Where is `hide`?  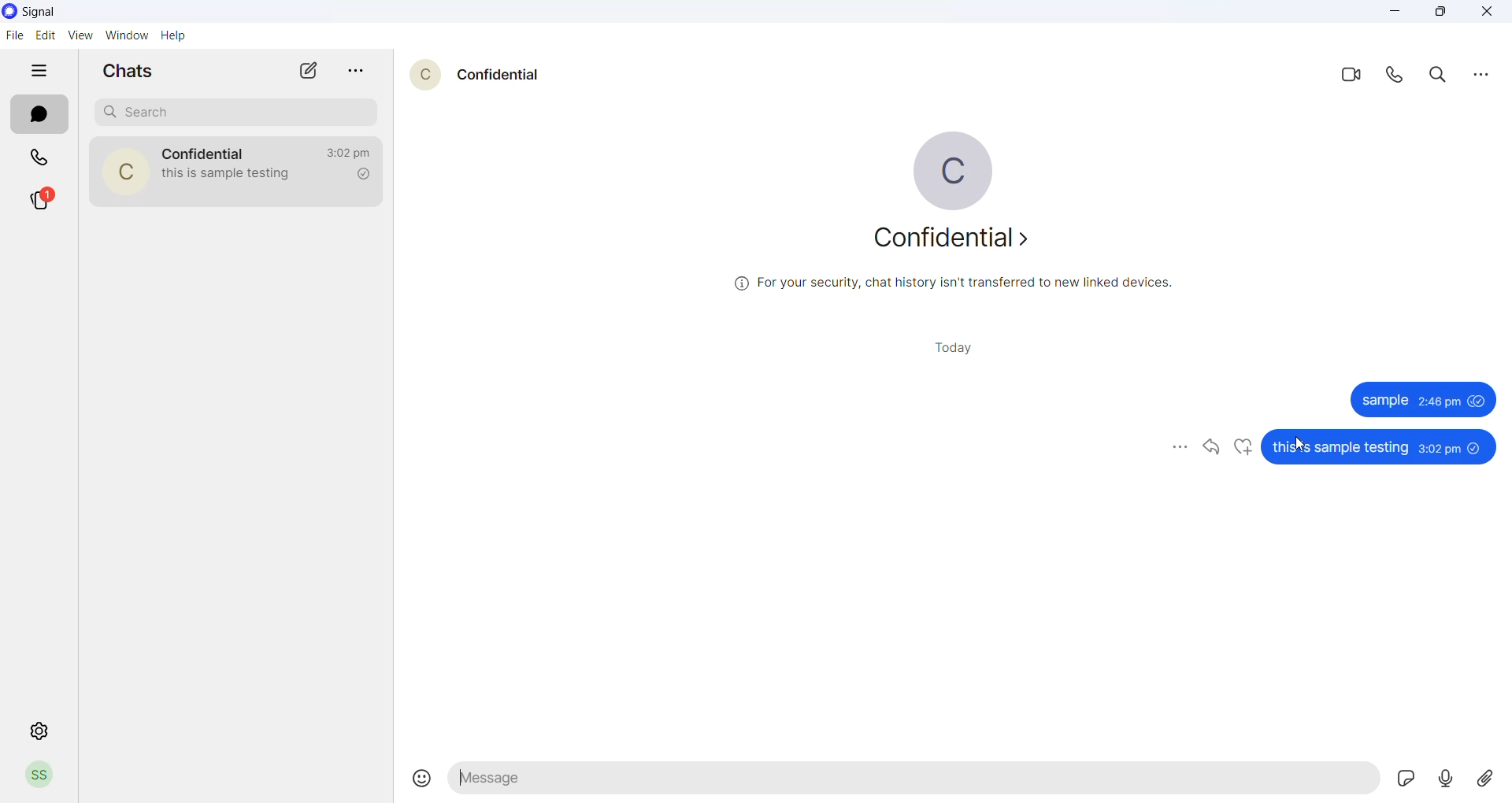 hide is located at coordinates (41, 68).